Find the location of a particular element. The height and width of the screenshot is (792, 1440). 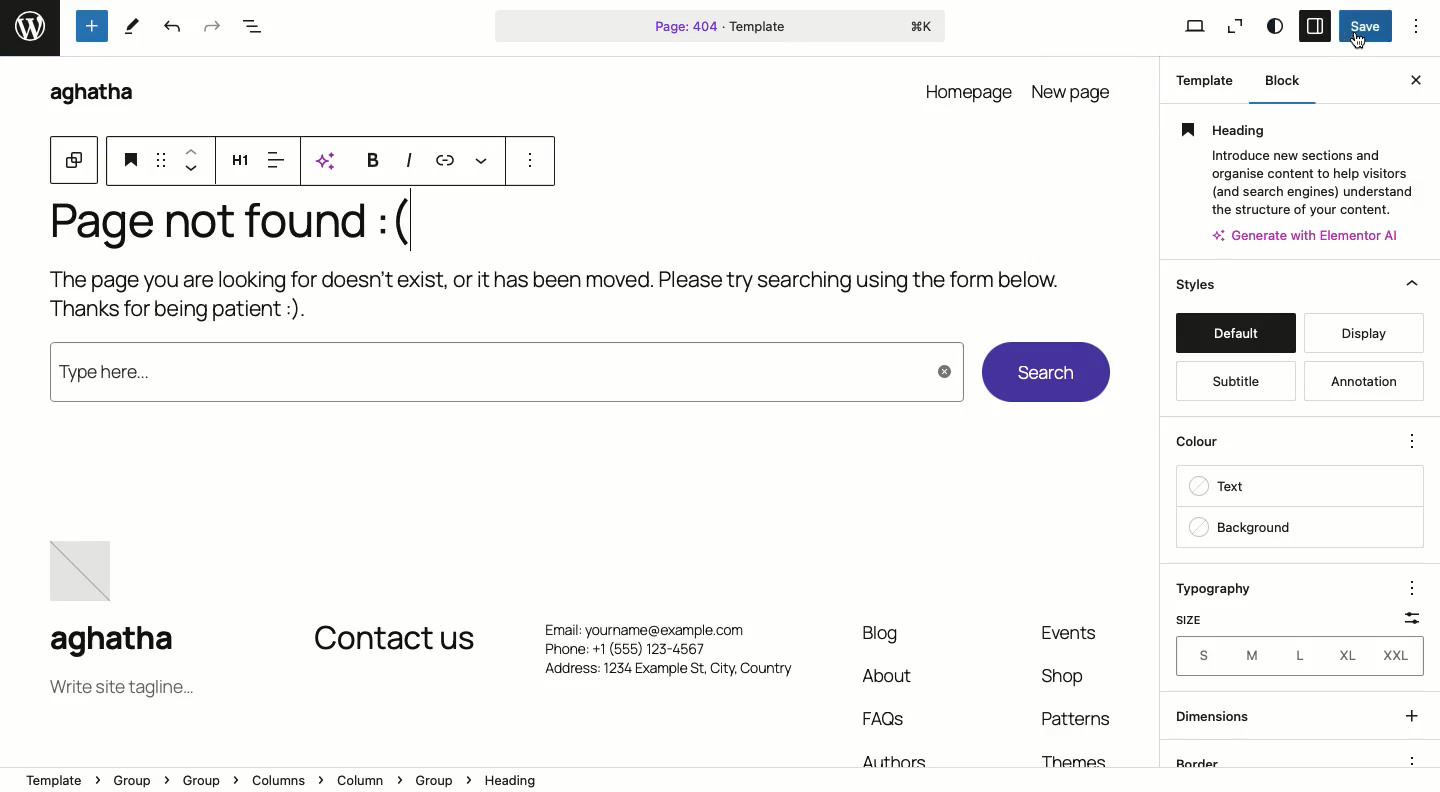

Save is located at coordinates (1366, 26).